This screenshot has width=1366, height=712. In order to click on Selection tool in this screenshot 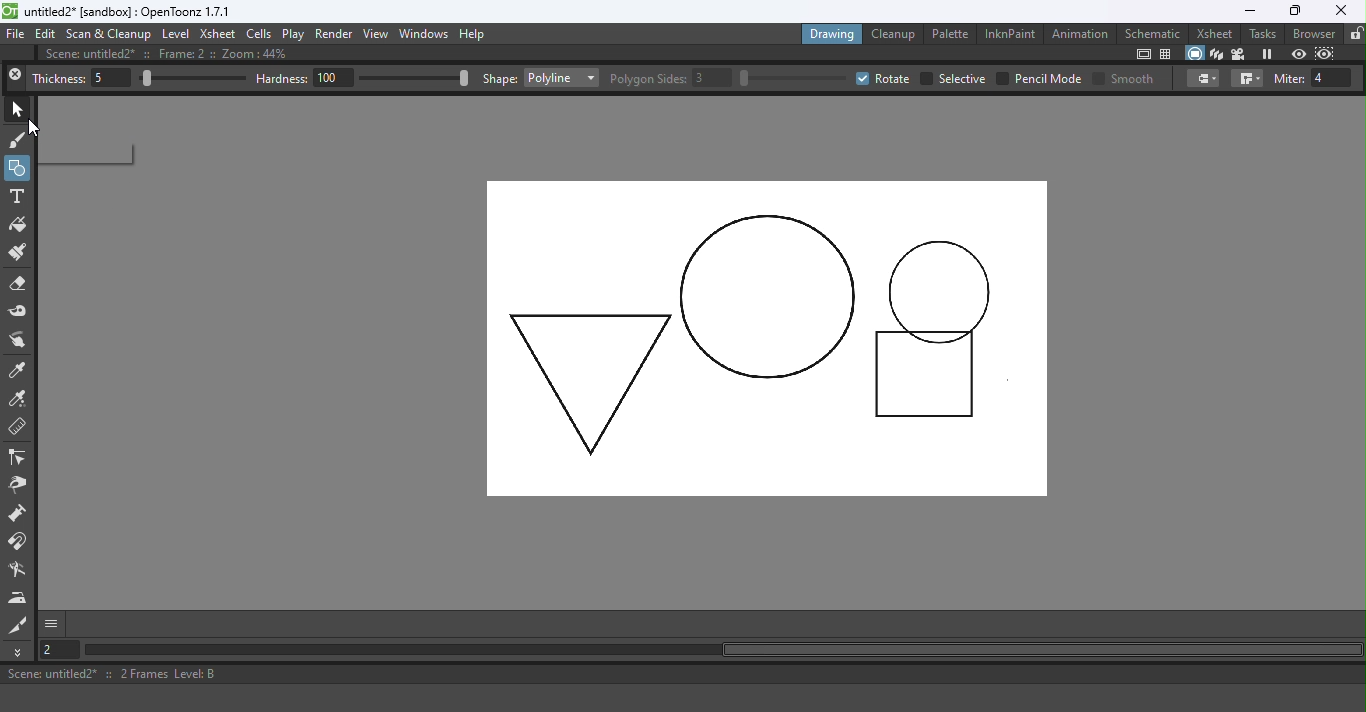, I will do `click(19, 109)`.